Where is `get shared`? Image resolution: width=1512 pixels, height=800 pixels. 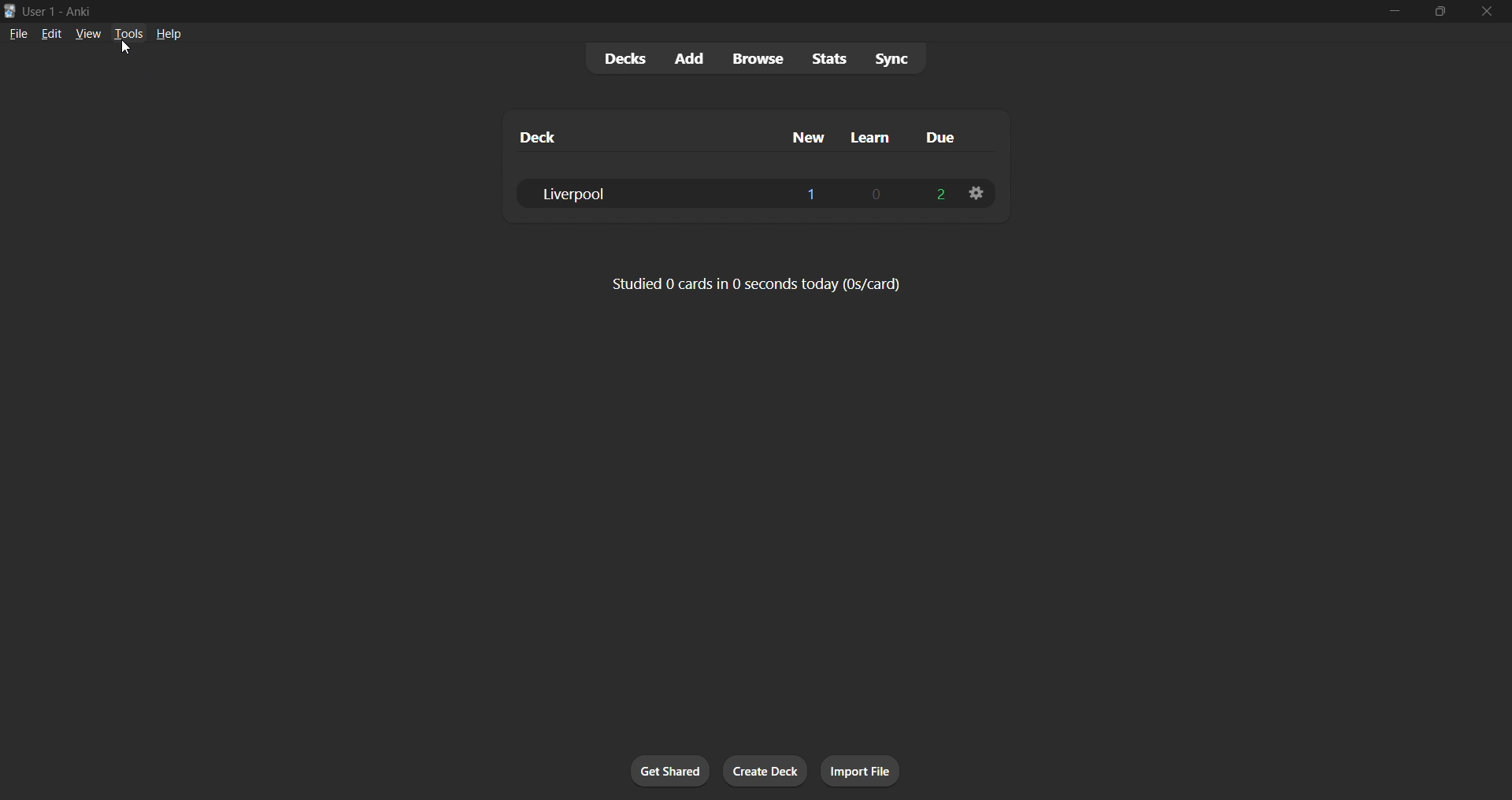 get shared is located at coordinates (672, 770).